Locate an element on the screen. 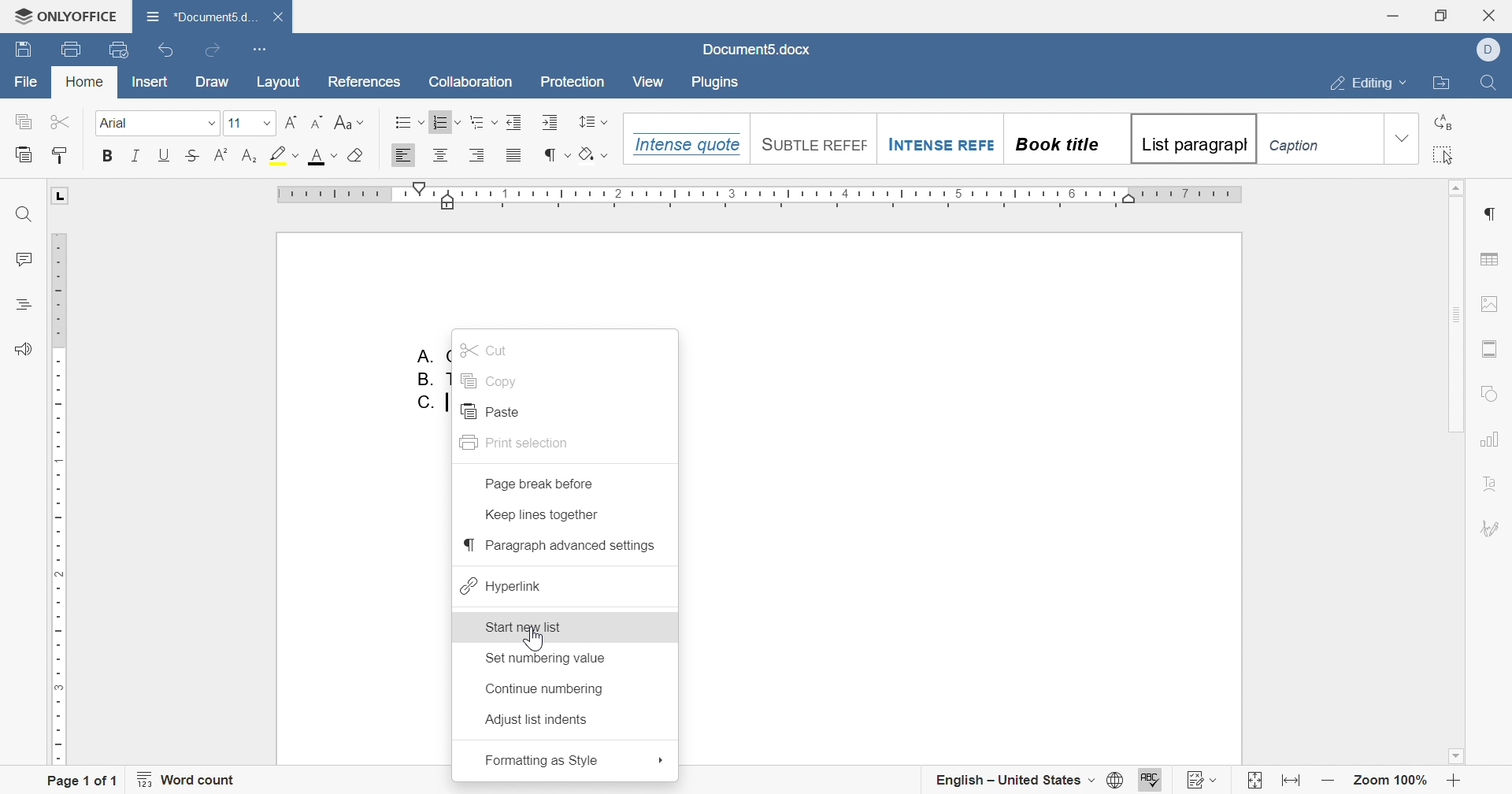  replace is located at coordinates (1444, 122).